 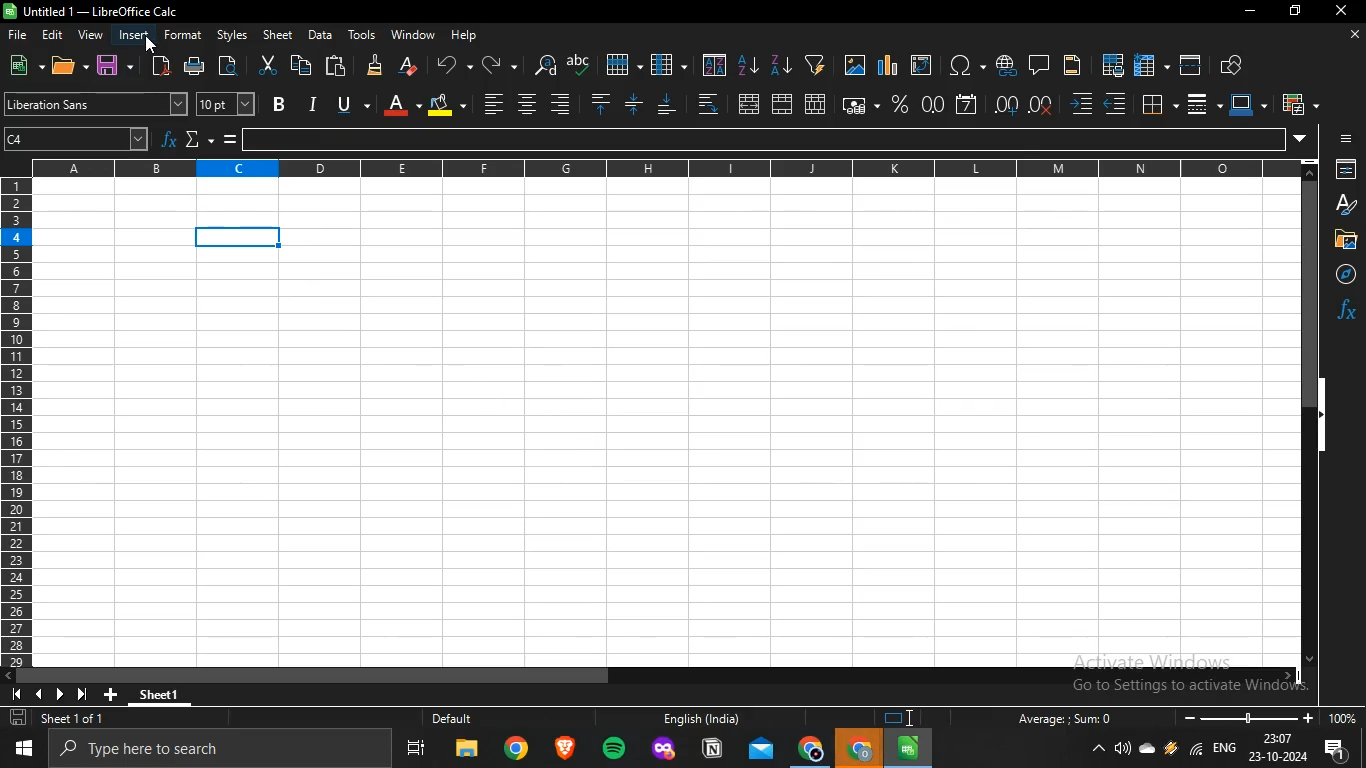 What do you see at coordinates (621, 64) in the screenshot?
I see `row` at bounding box center [621, 64].